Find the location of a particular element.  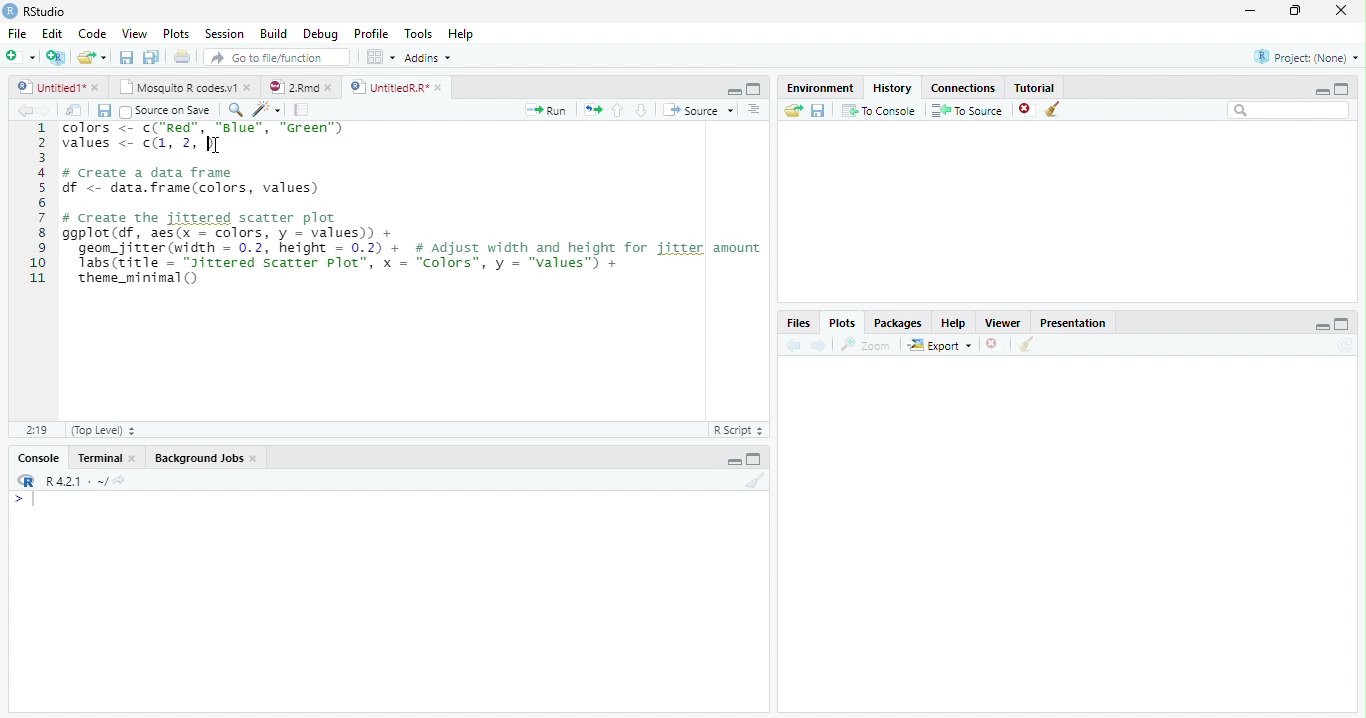

View is located at coordinates (134, 33).